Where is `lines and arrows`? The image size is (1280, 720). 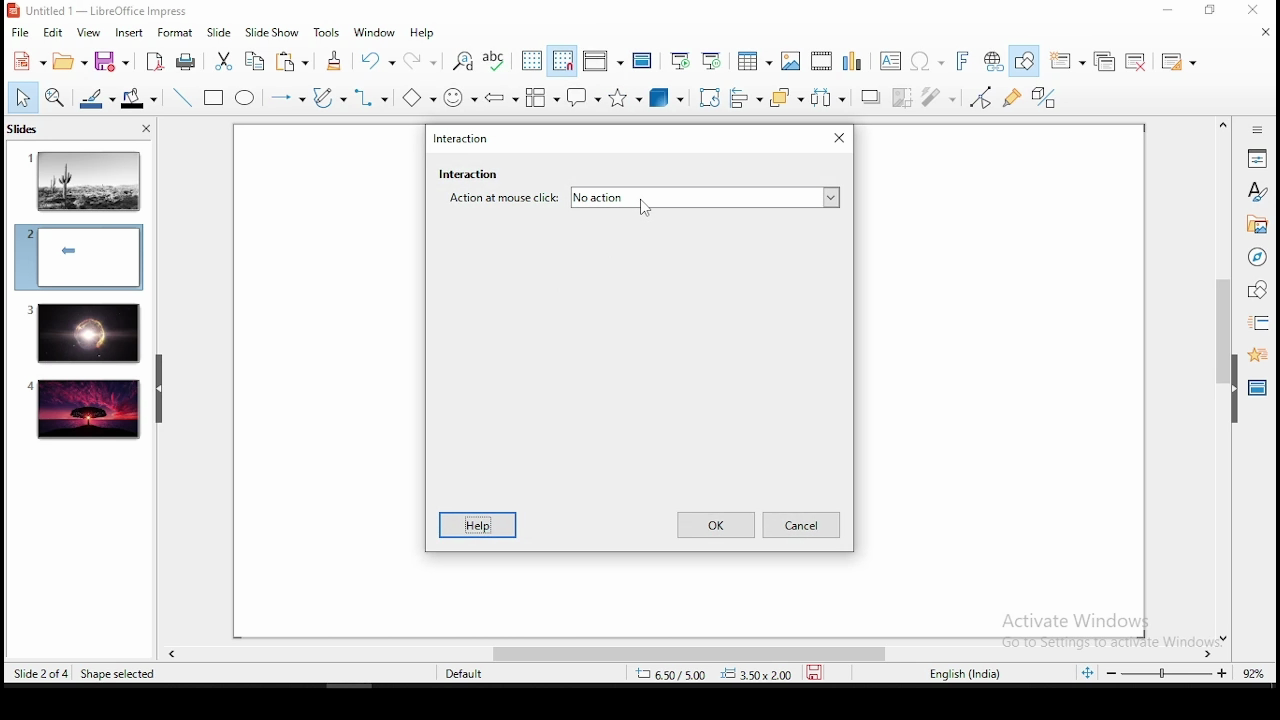
lines and arrows is located at coordinates (287, 98).